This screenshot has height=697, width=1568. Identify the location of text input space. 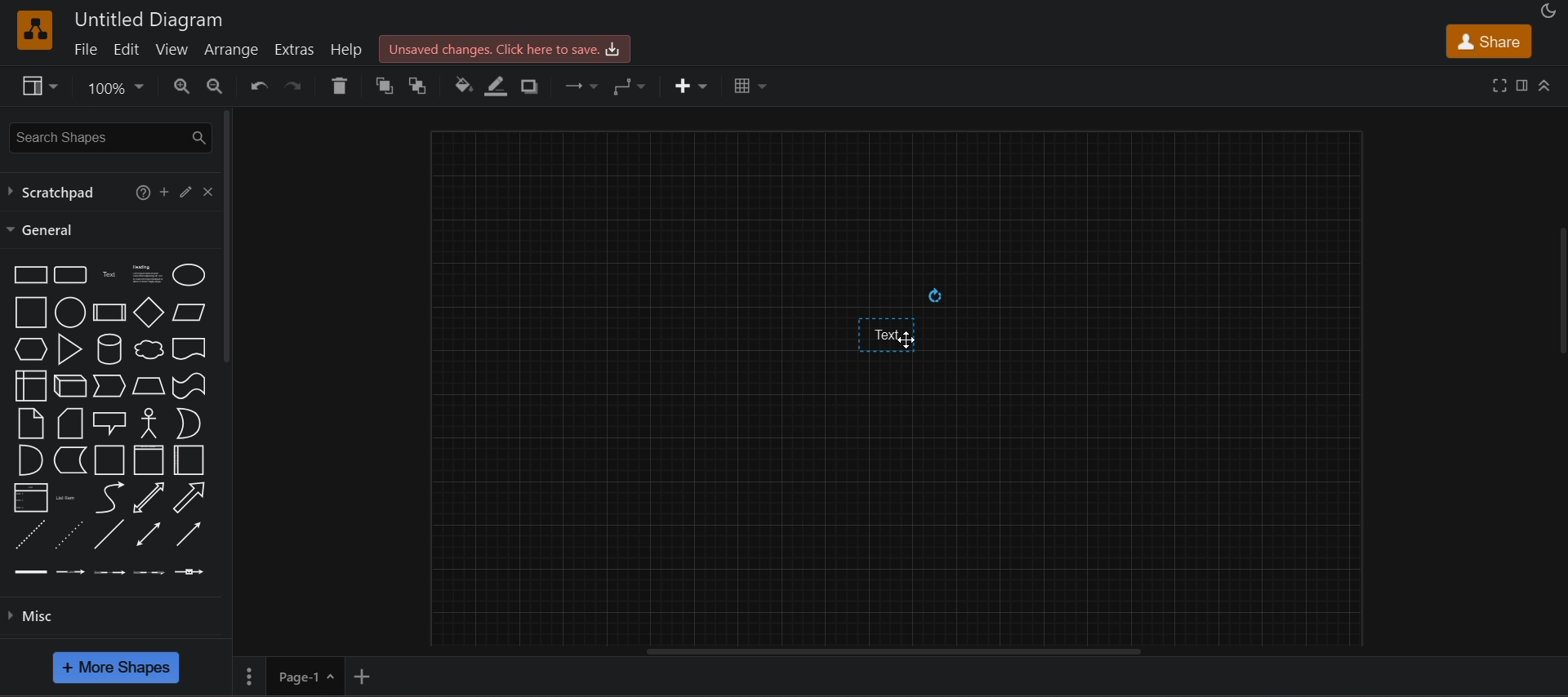
(885, 335).